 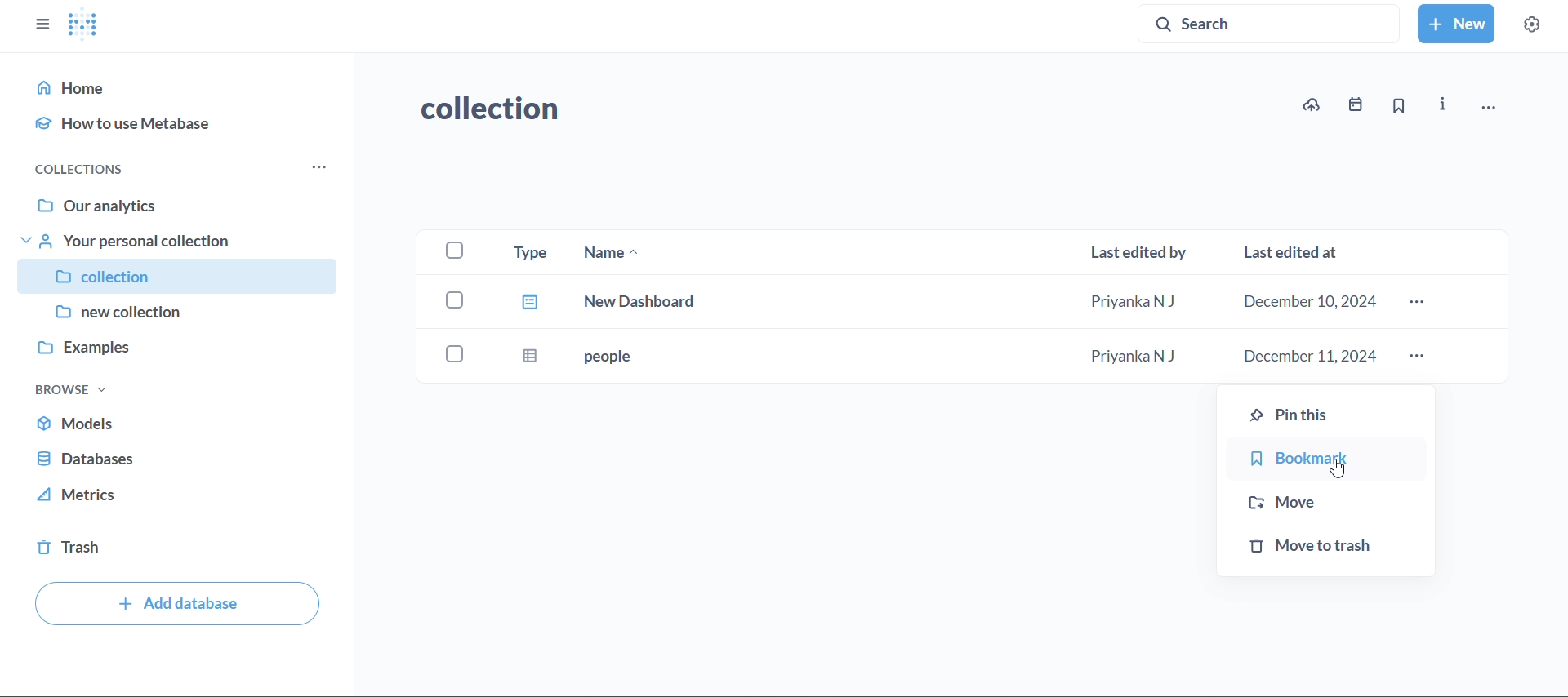 I want to click on december 11,2024, so click(x=1306, y=356).